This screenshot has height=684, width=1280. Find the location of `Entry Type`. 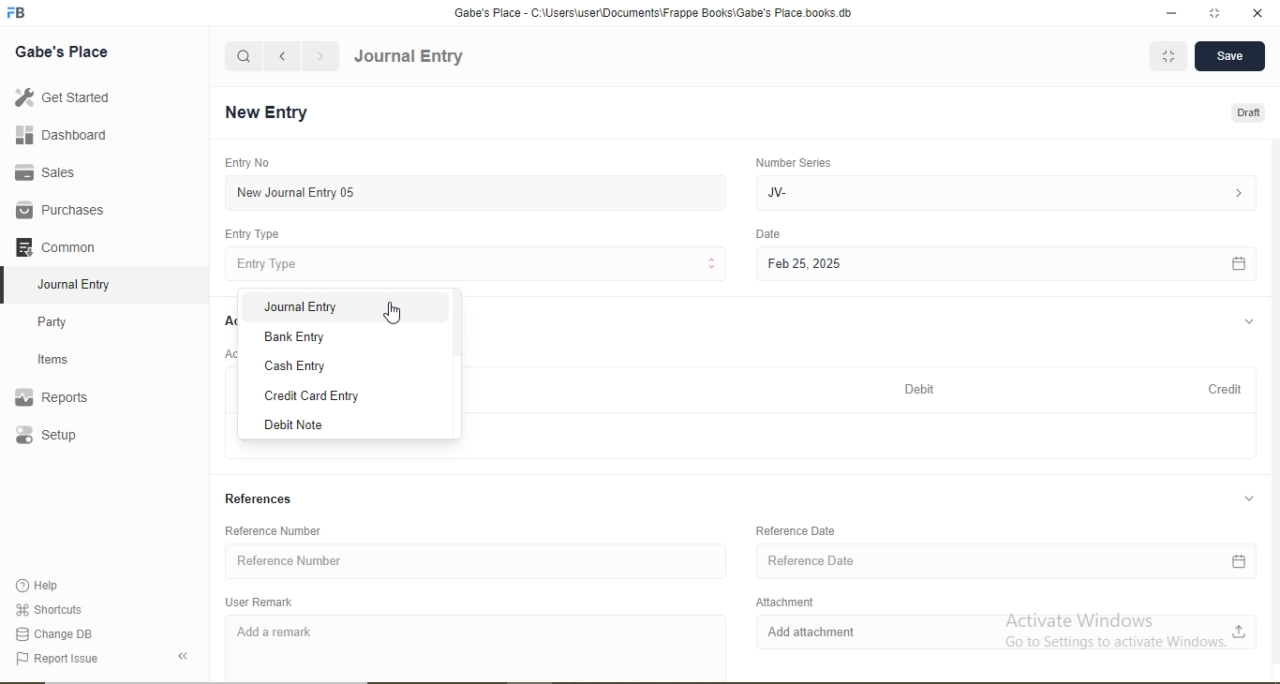

Entry Type is located at coordinates (478, 263).